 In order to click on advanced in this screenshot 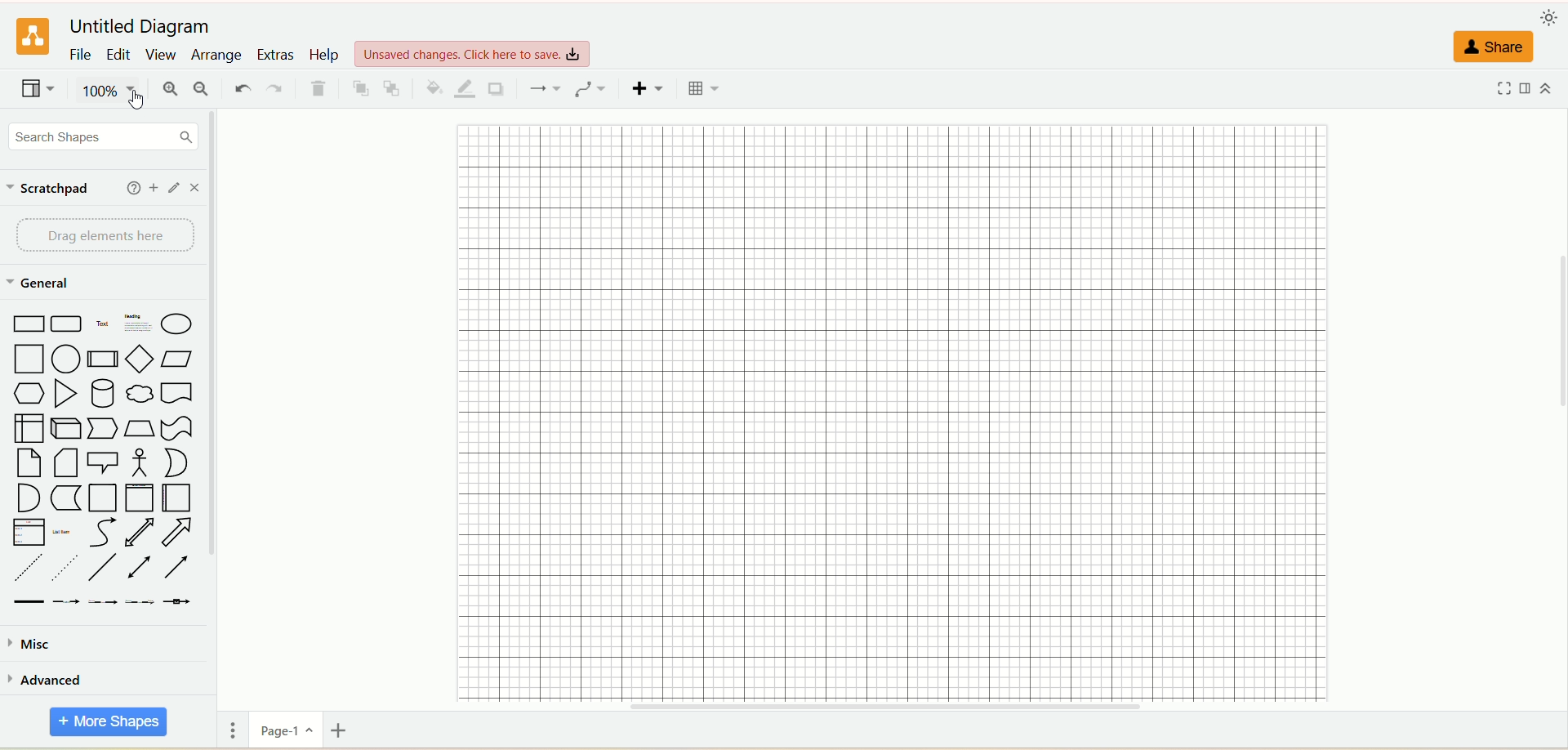, I will do `click(50, 683)`.